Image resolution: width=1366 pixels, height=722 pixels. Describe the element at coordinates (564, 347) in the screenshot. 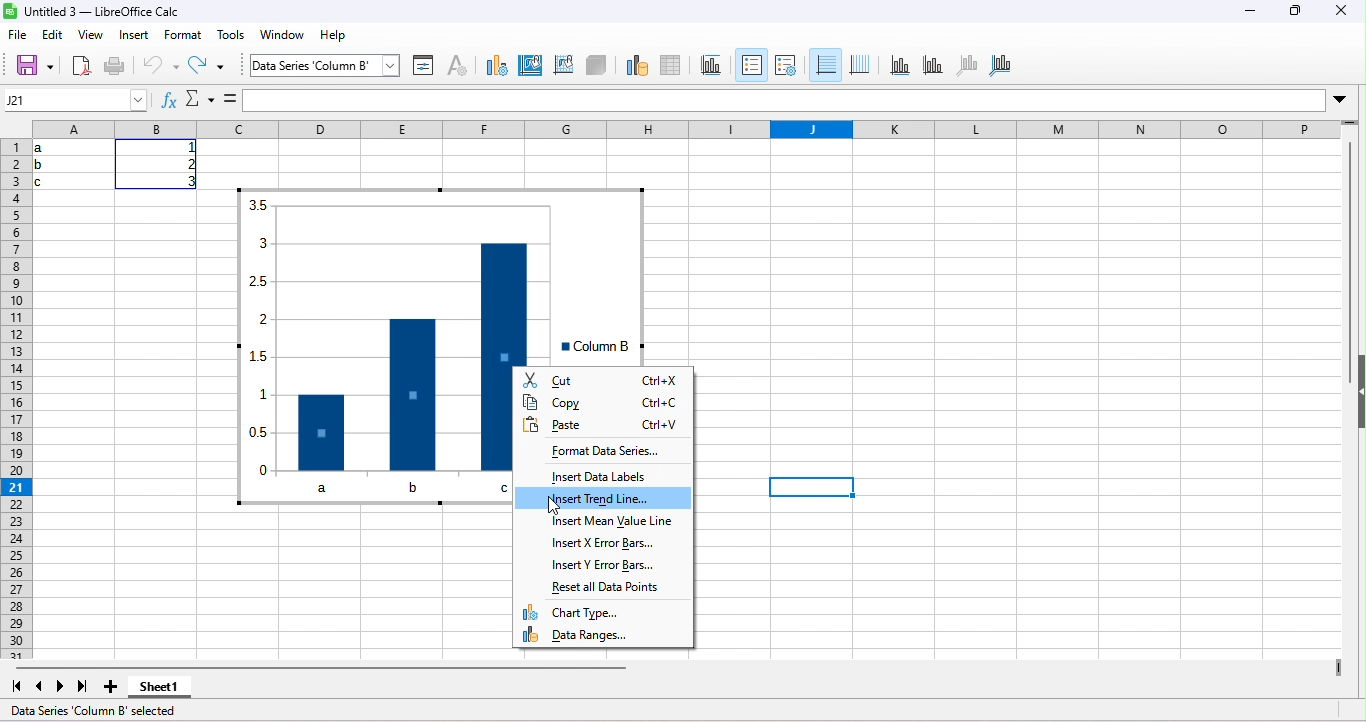

I see `legend key` at that location.